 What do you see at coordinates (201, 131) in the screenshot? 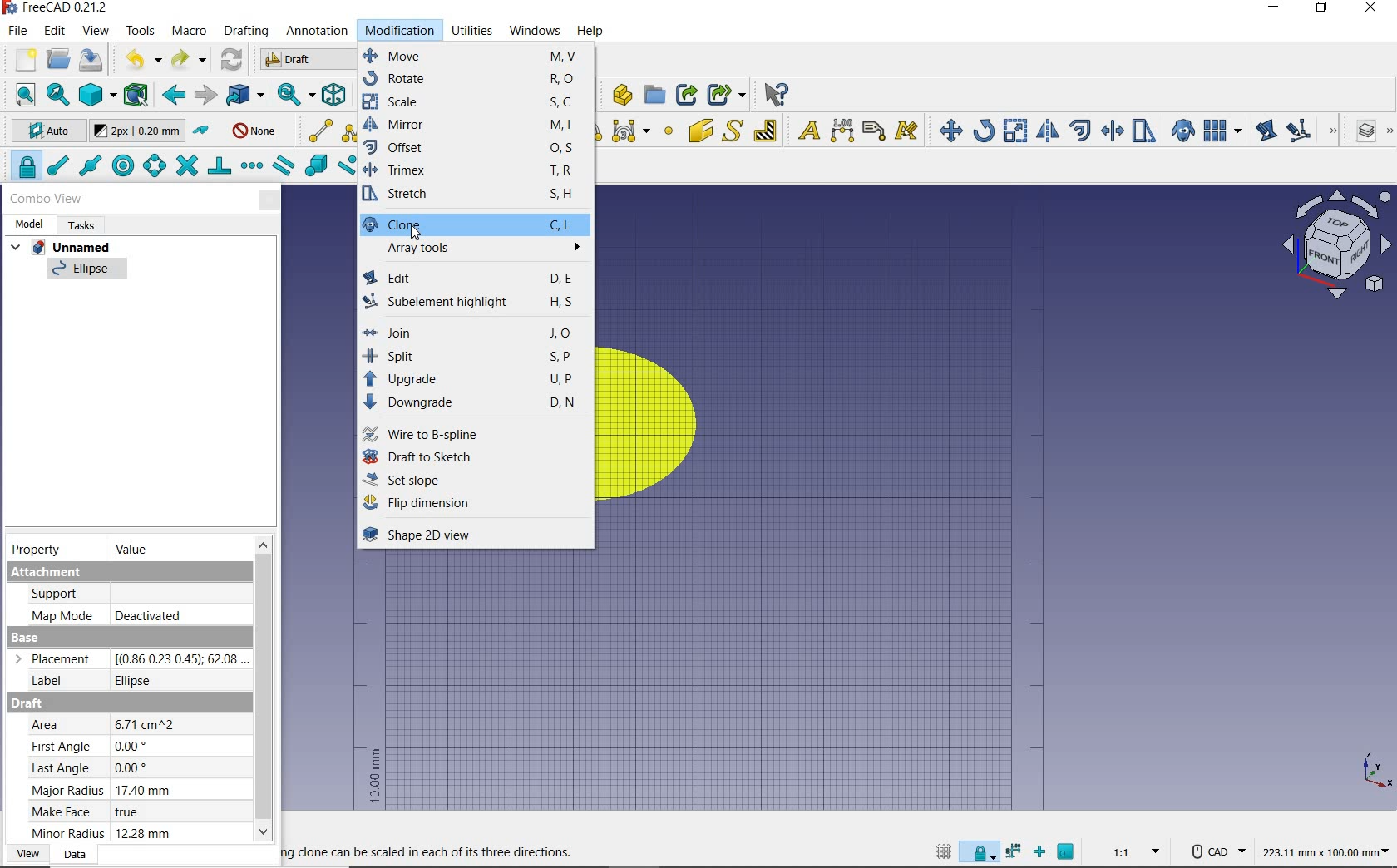
I see `toggle construction mode` at bounding box center [201, 131].